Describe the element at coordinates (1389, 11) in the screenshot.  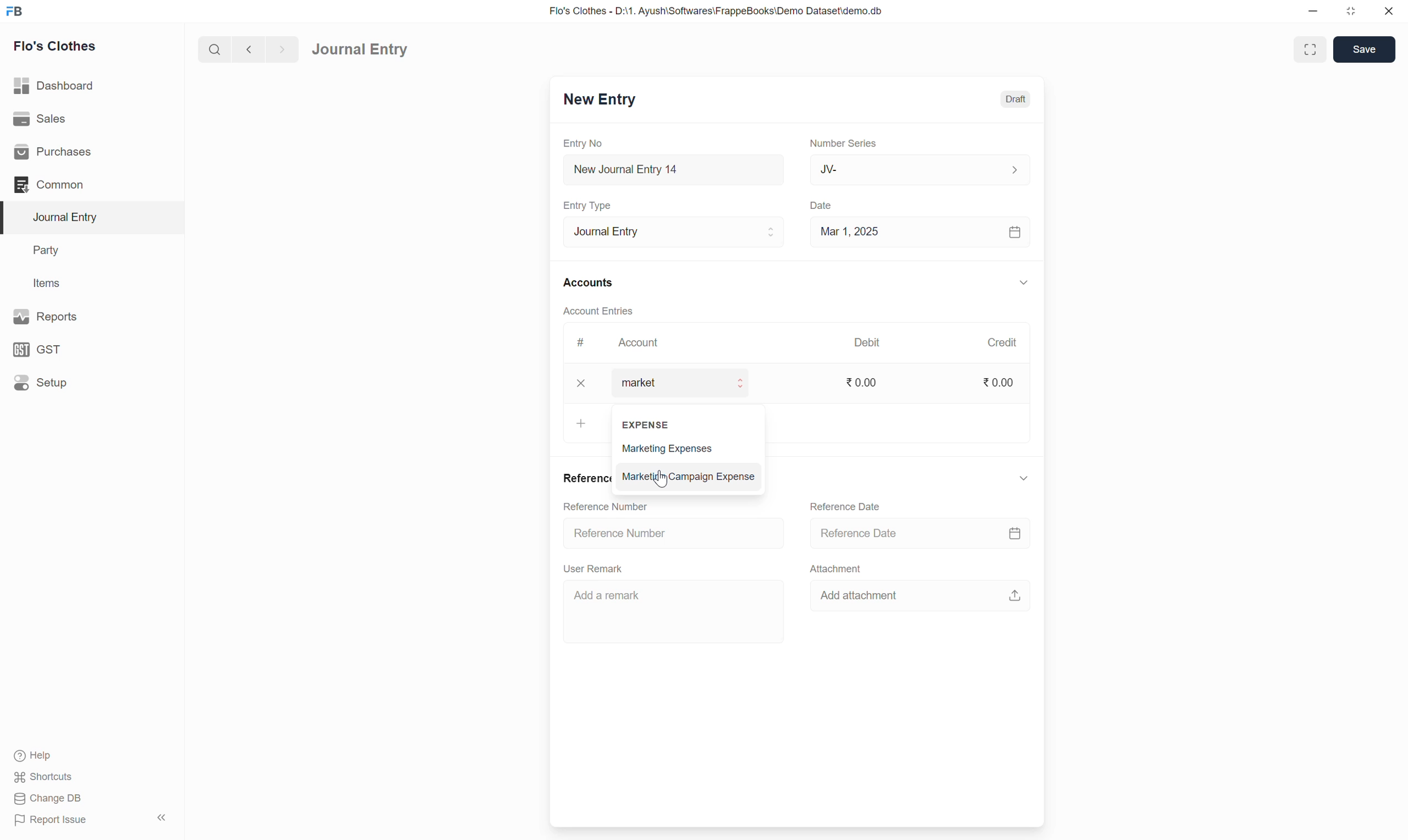
I see `close` at that location.